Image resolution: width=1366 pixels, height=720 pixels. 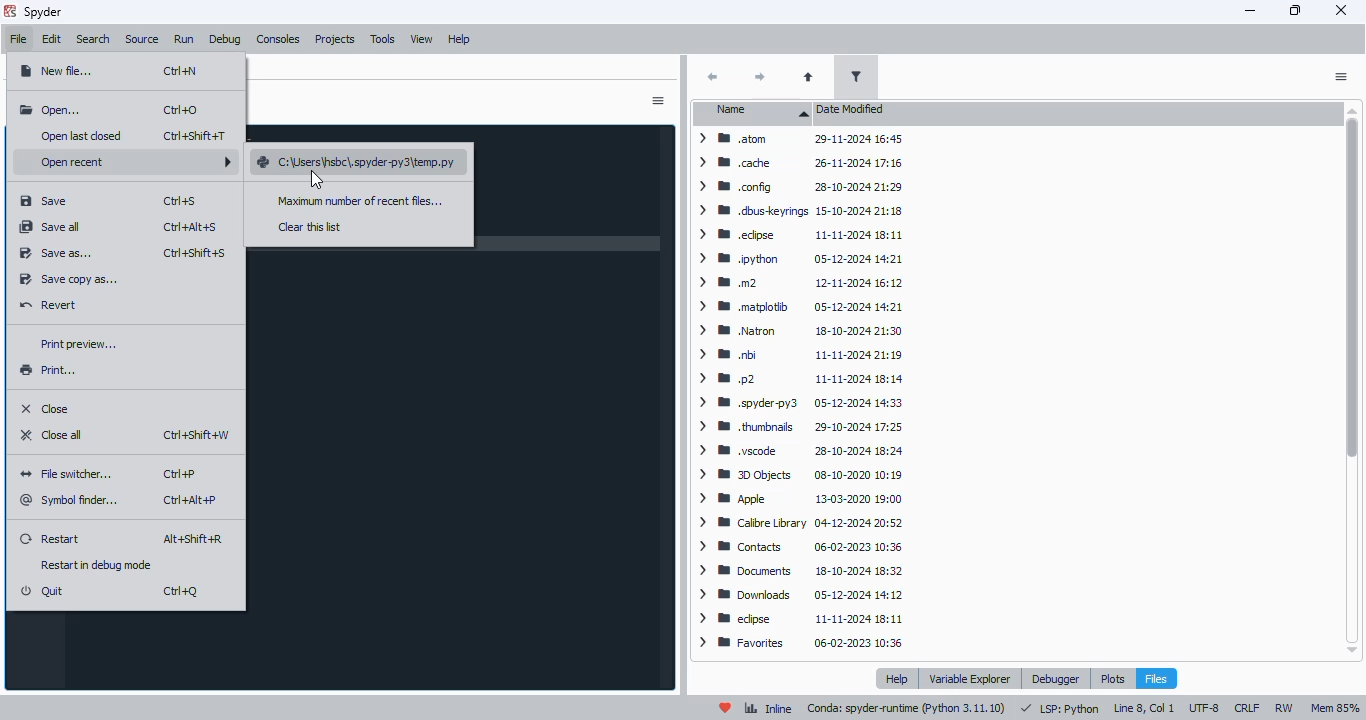 I want to click on > BB .edpse 11-11-2024 18:11, so click(x=801, y=233).